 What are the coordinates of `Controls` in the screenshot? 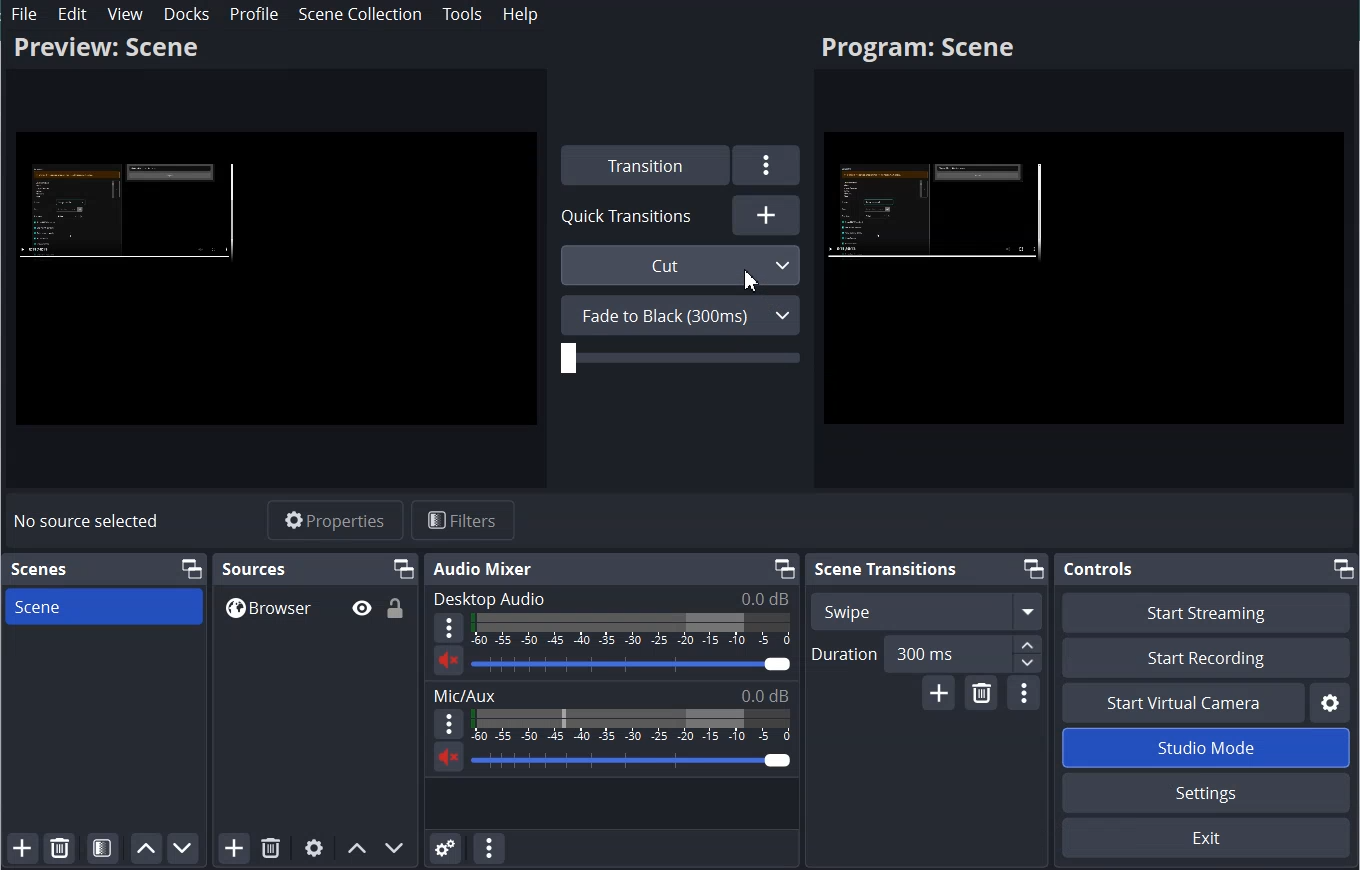 It's located at (1097, 569).